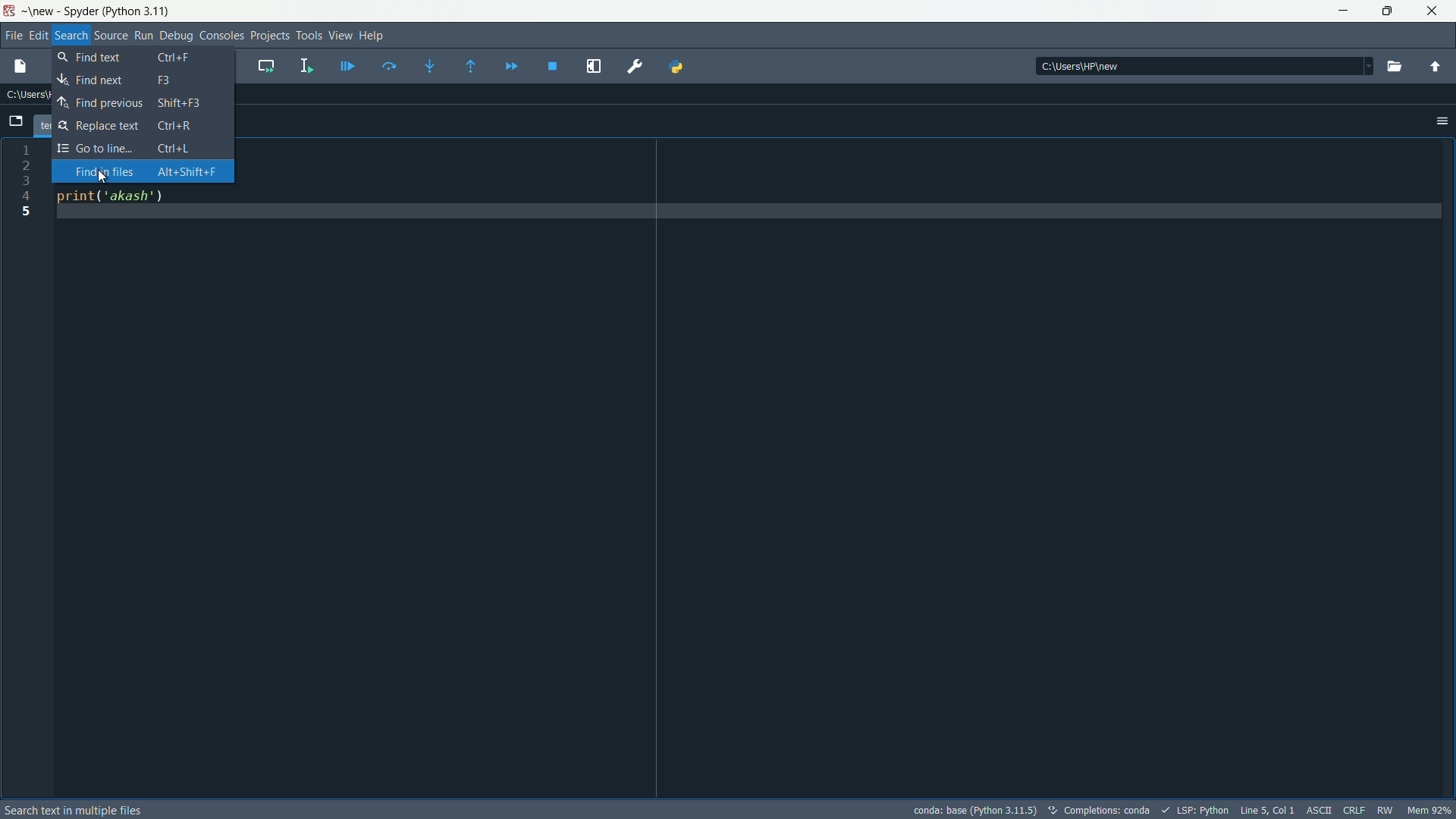  Describe the element at coordinates (1199, 810) in the screenshot. I see `LSP:Python` at that location.